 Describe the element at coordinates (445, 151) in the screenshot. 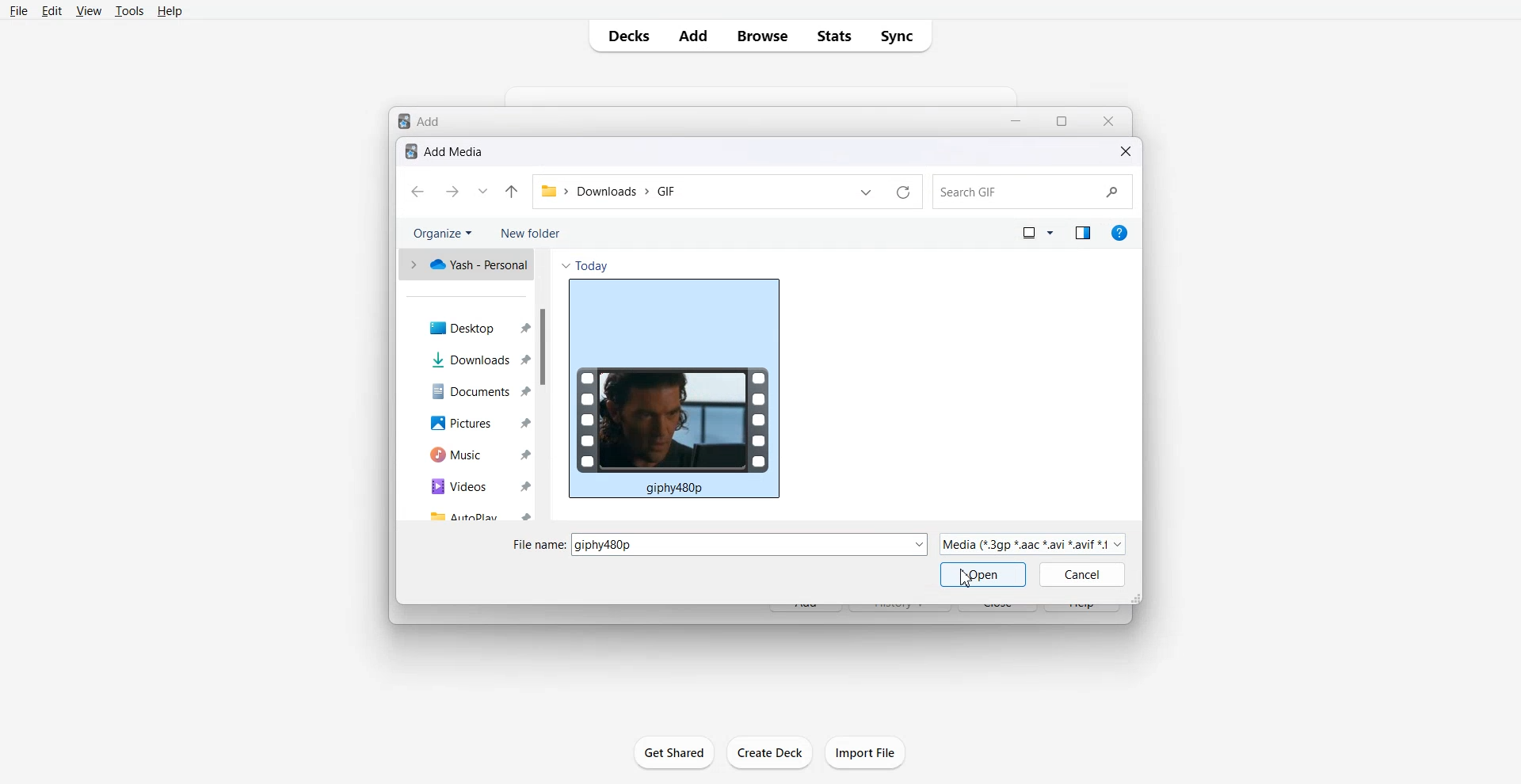

I see `Text` at that location.